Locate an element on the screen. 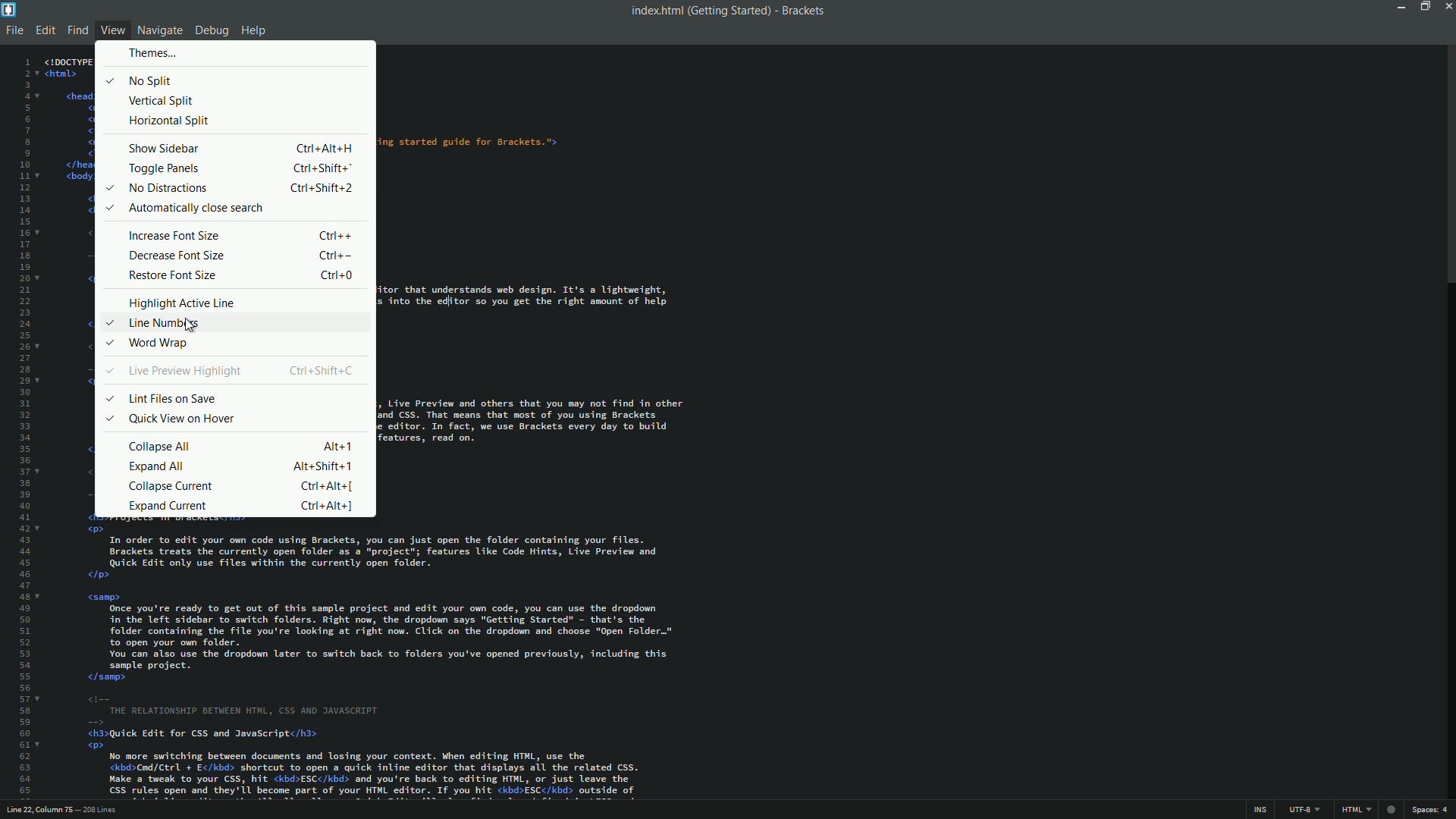  Expand All Alt+Shift+1 is located at coordinates (244, 466).